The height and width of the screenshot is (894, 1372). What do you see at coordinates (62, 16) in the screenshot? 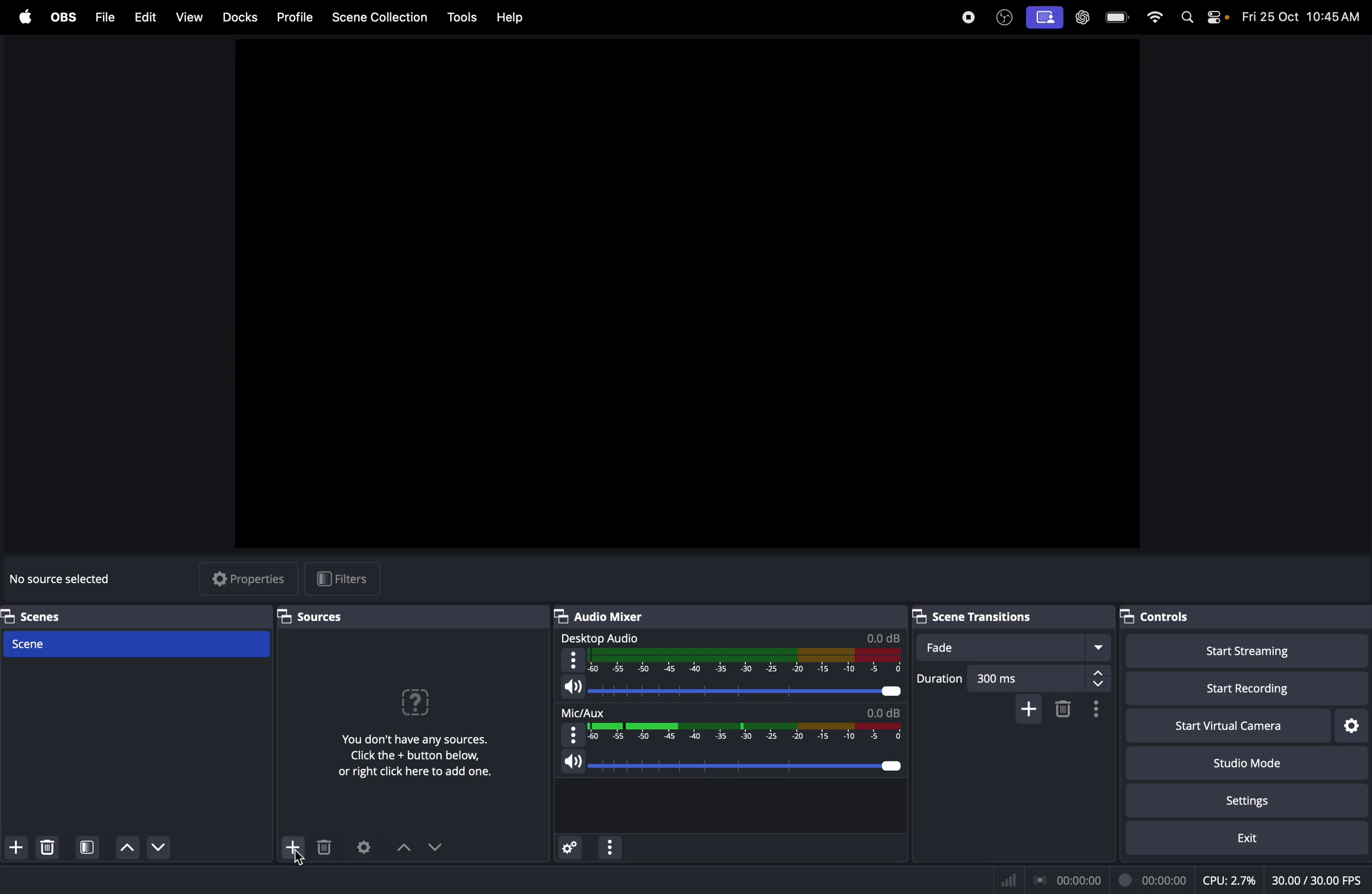
I see `obs menu` at bounding box center [62, 16].